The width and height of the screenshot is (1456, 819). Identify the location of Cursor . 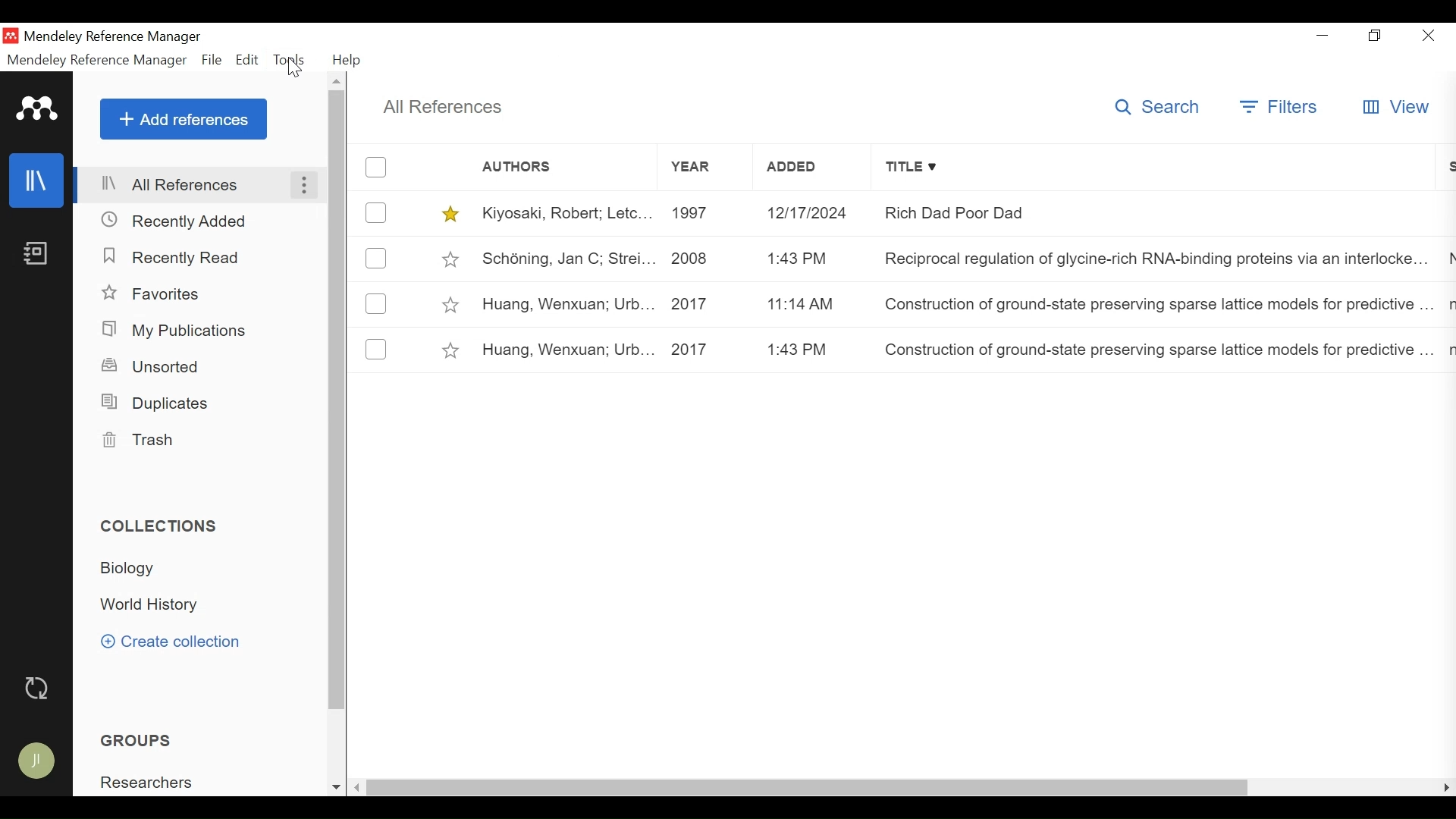
(297, 71).